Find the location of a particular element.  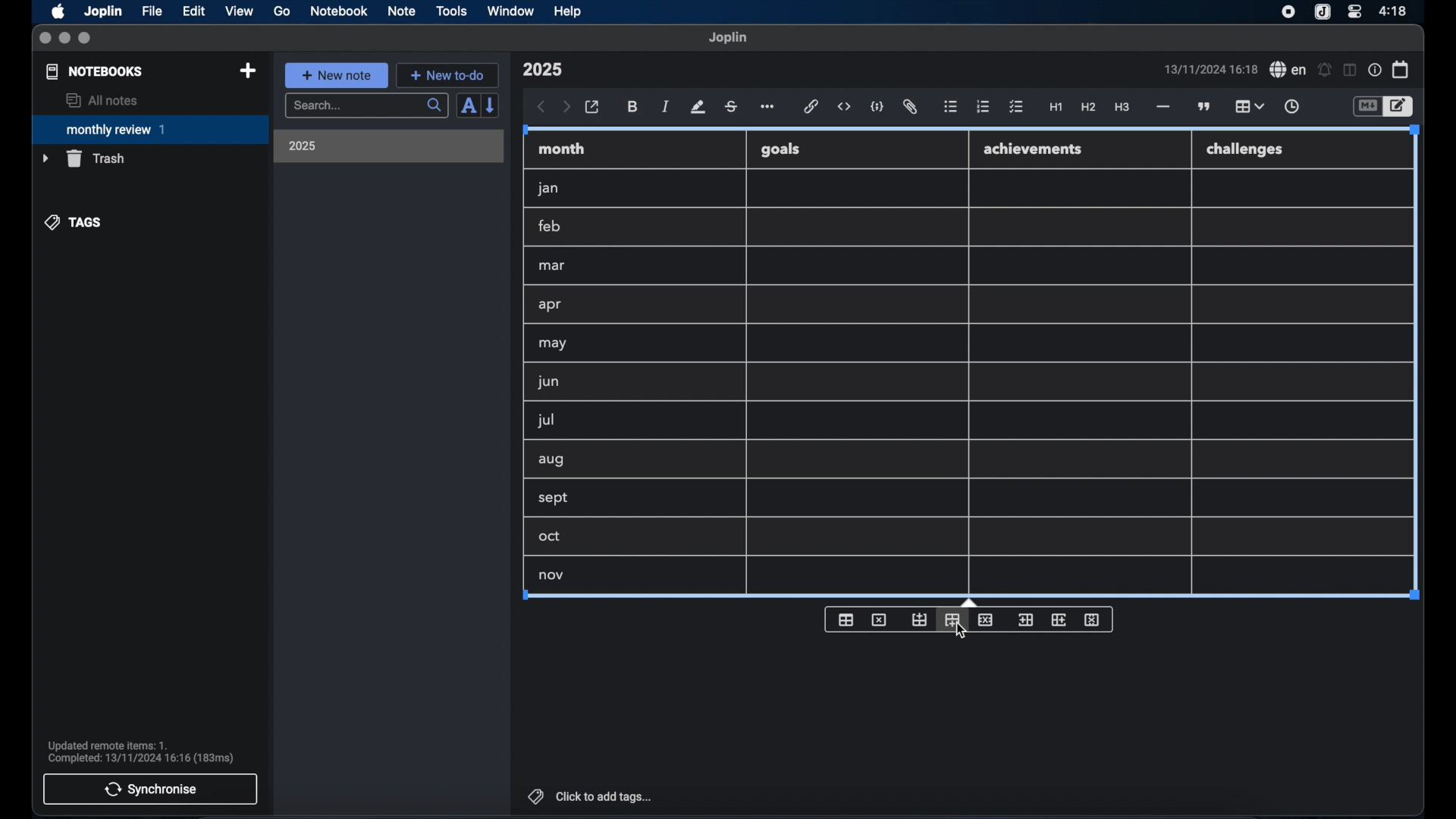

code is located at coordinates (877, 108).